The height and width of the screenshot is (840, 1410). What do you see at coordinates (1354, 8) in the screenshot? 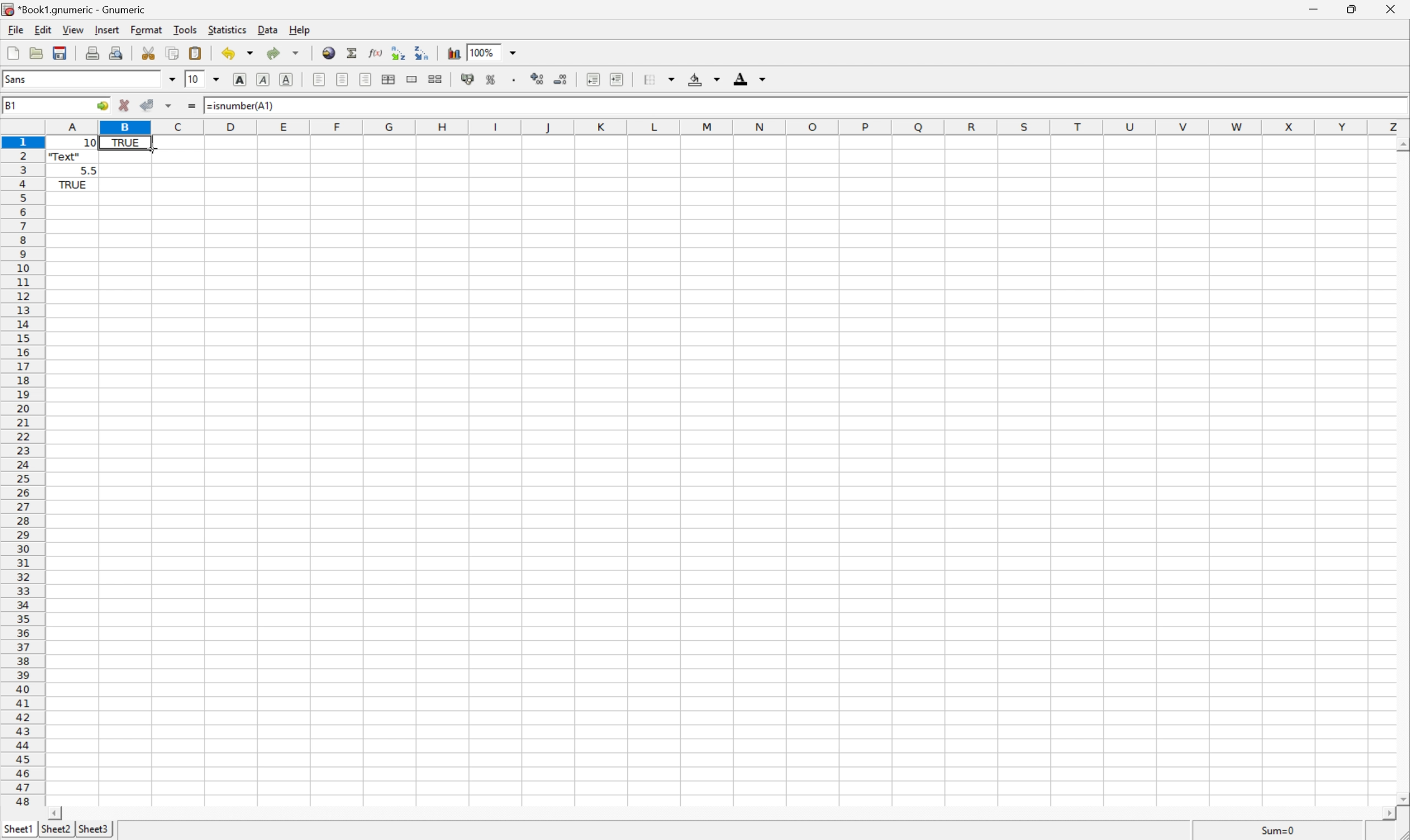
I see `Restore Down` at bounding box center [1354, 8].